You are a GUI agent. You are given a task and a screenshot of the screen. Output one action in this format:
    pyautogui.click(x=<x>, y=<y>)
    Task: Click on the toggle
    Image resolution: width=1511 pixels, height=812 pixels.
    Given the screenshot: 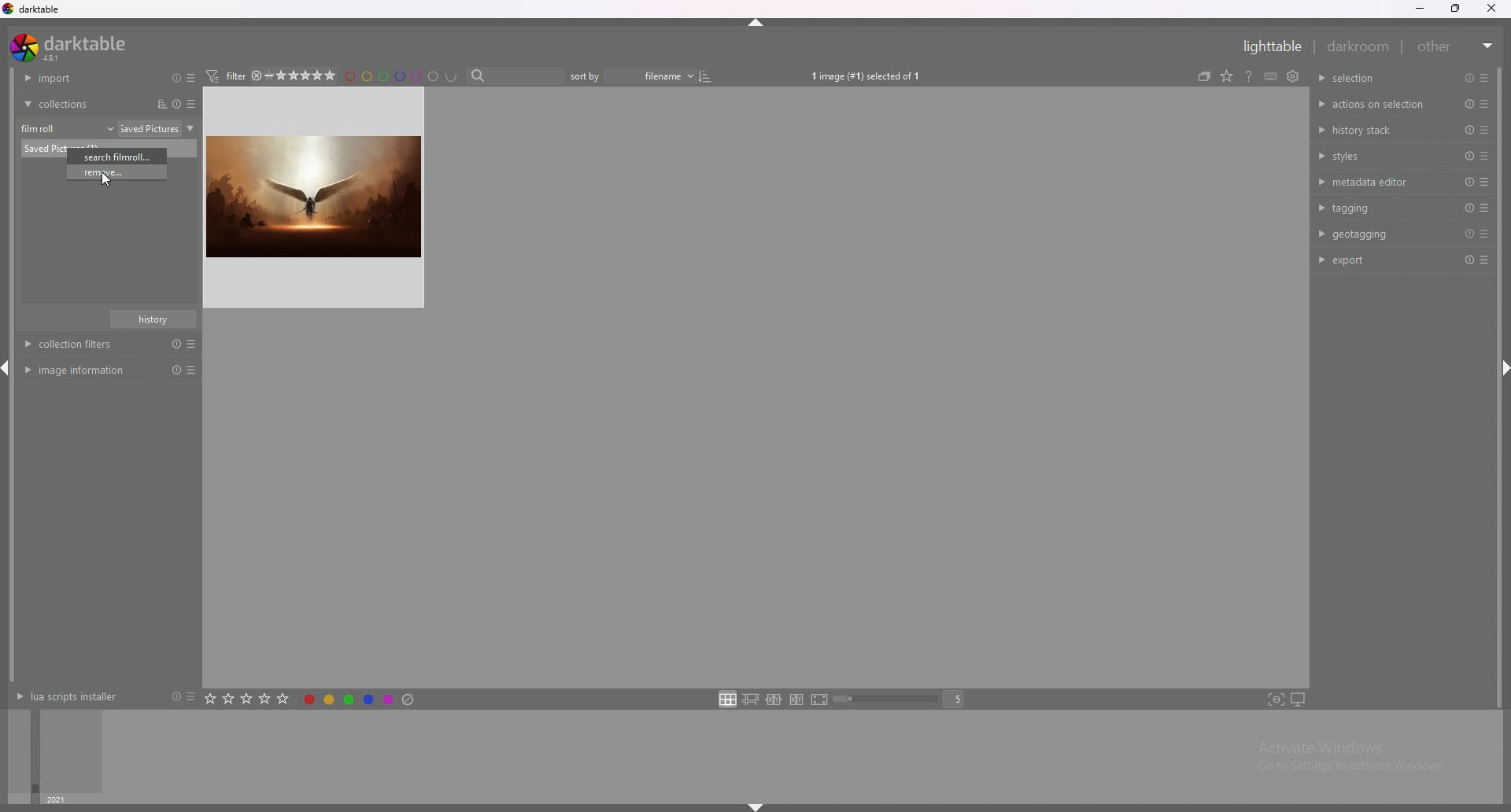 What is the action you would take?
    pyautogui.click(x=716, y=76)
    